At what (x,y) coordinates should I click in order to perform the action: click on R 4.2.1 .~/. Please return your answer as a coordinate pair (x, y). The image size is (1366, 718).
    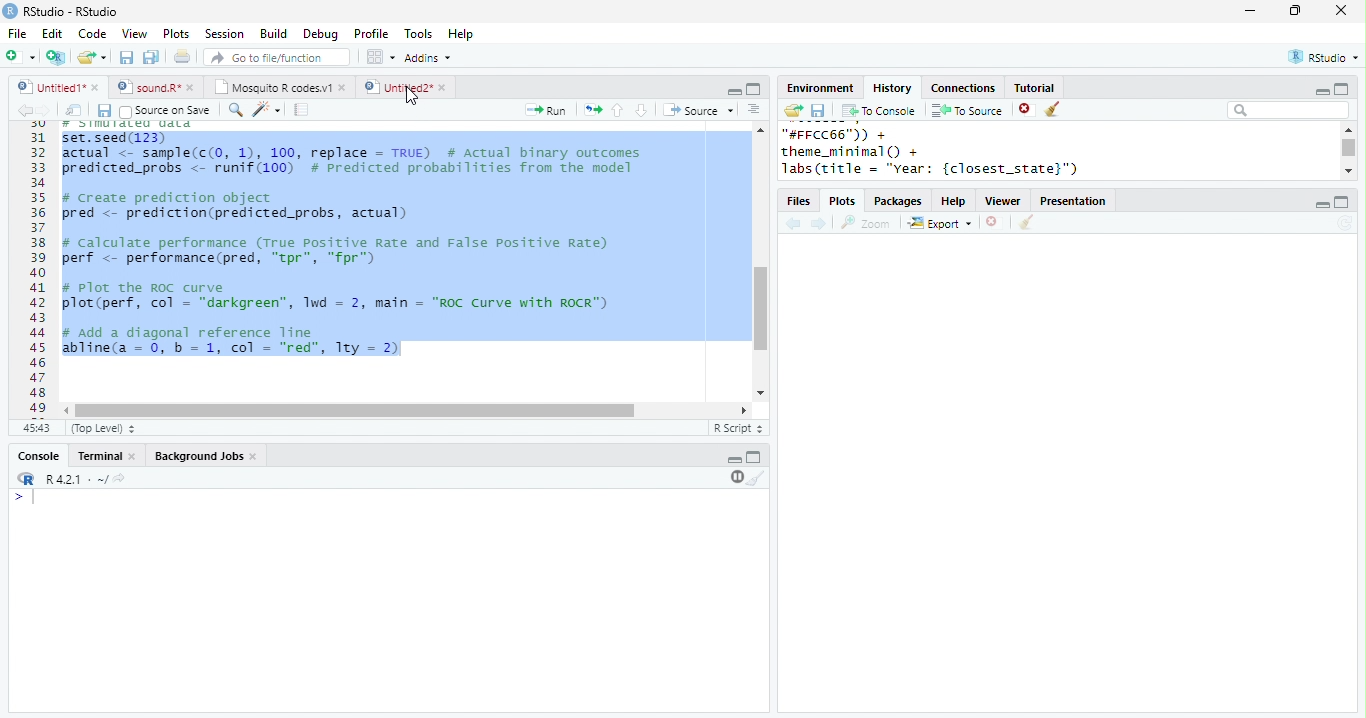
    Looking at the image, I should click on (73, 480).